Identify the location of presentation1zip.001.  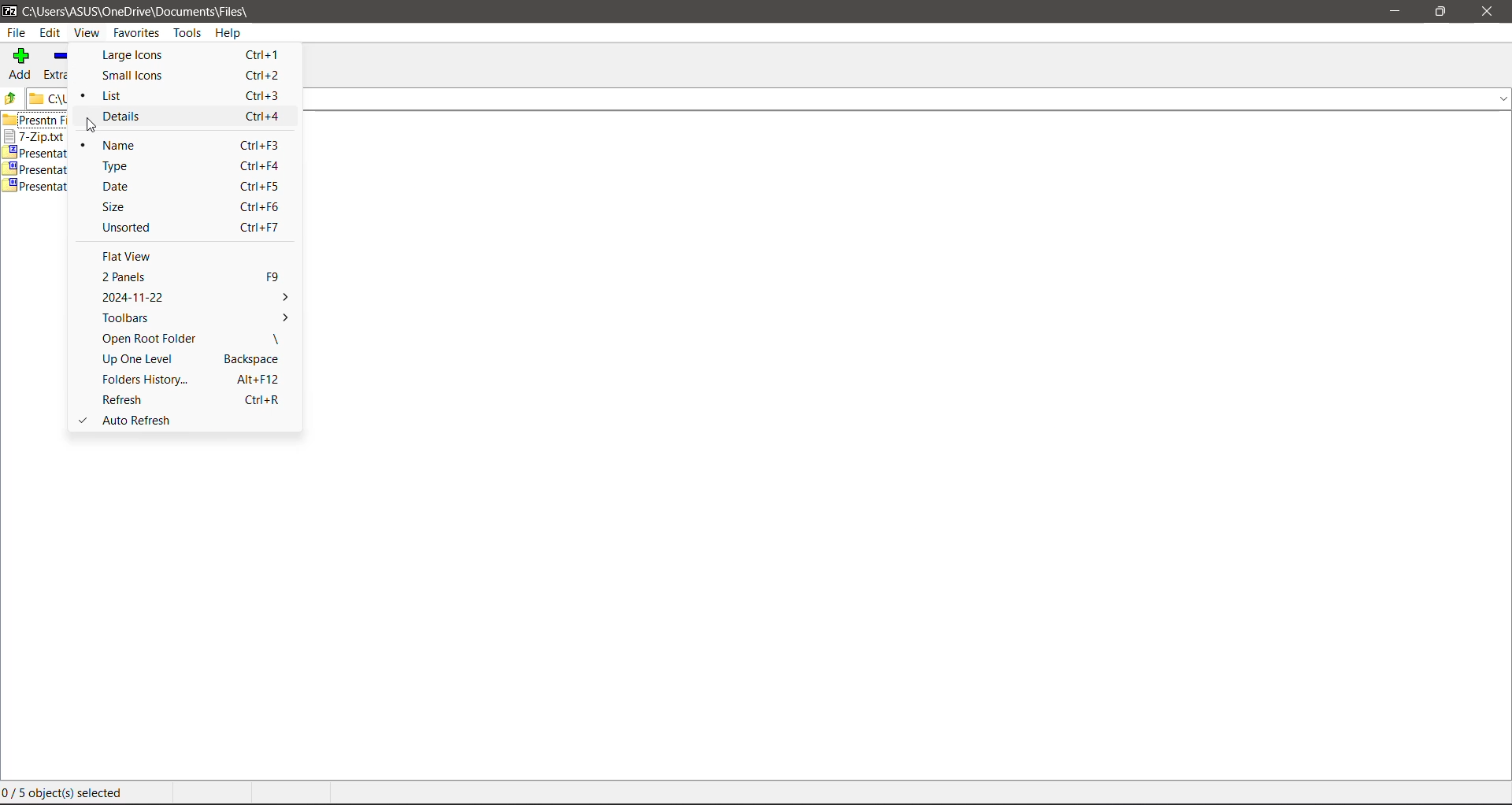
(46, 169).